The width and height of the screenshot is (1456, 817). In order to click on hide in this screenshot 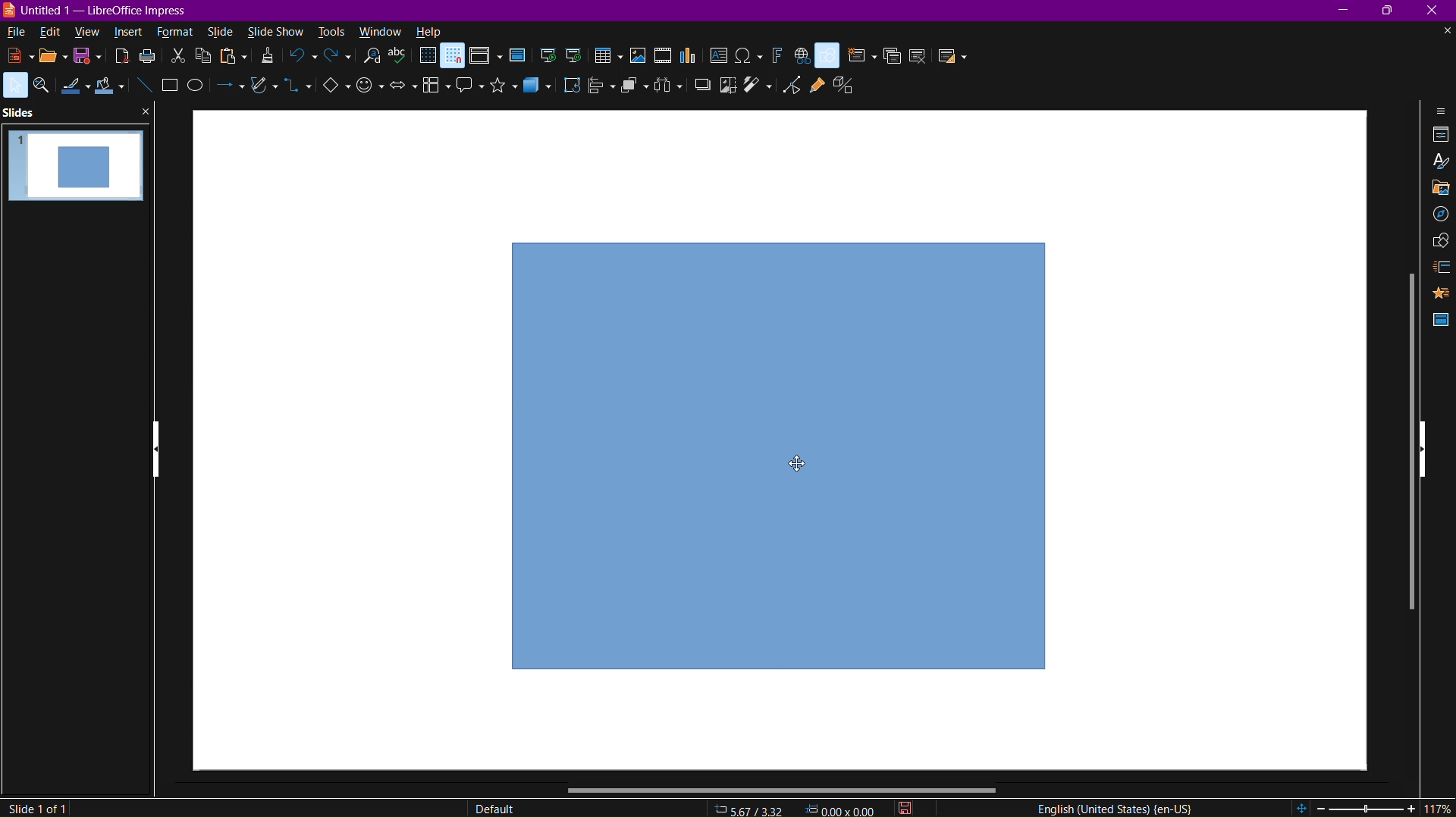, I will do `click(1423, 450)`.